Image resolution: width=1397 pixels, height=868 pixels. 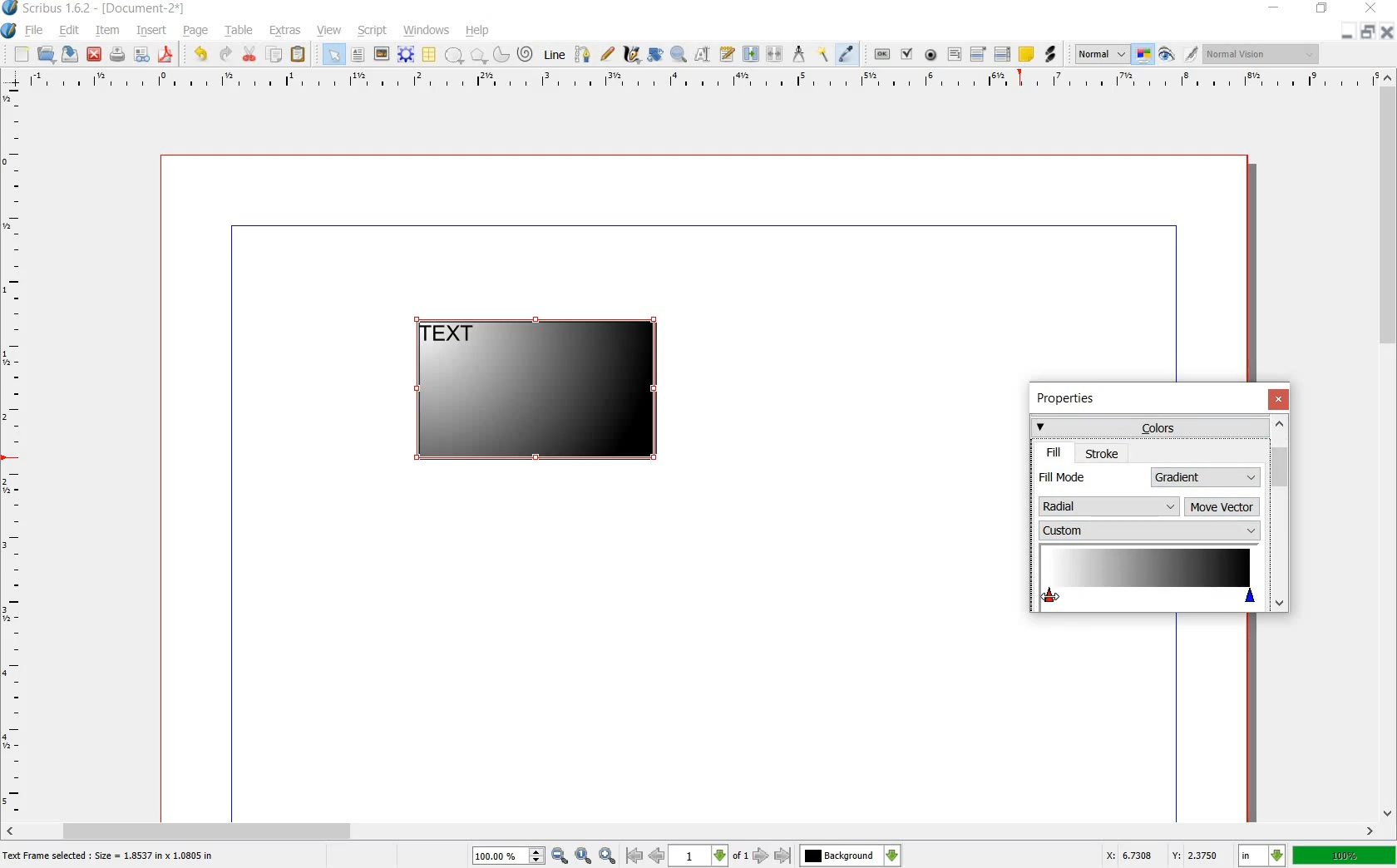 What do you see at coordinates (1348, 33) in the screenshot?
I see `minimize` at bounding box center [1348, 33].